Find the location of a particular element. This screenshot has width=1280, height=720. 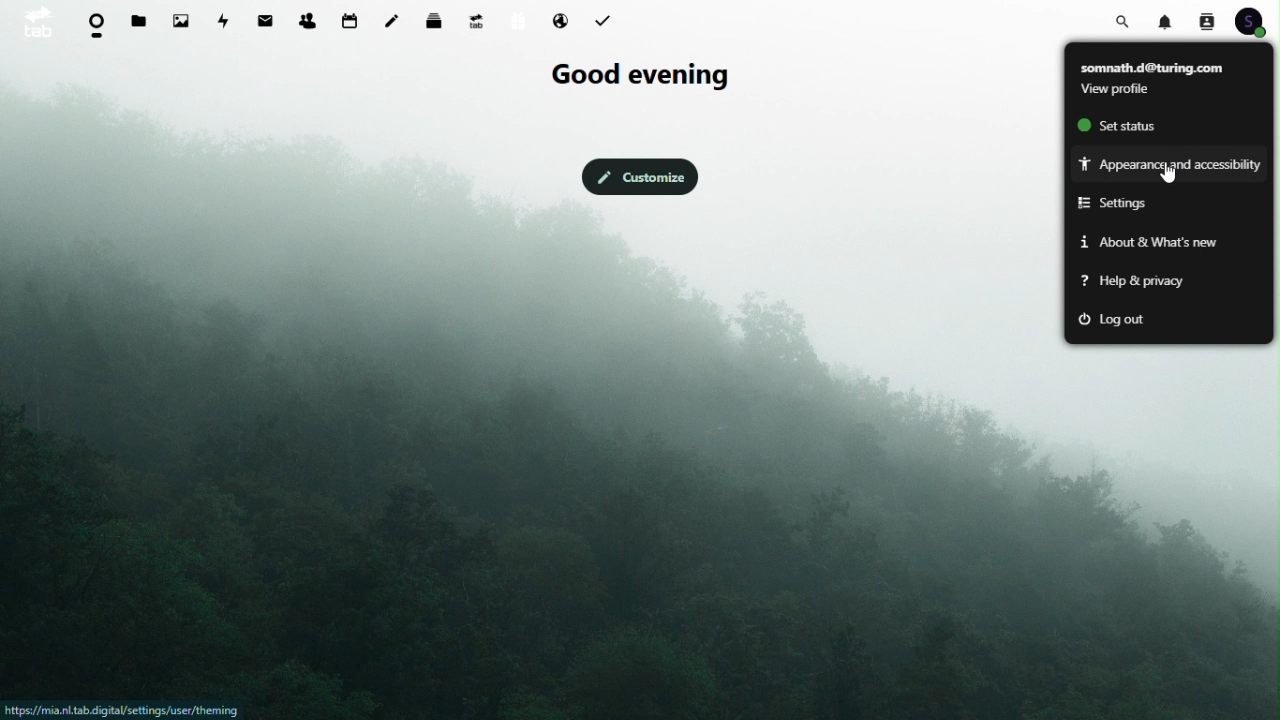

dashboard is located at coordinates (94, 25).